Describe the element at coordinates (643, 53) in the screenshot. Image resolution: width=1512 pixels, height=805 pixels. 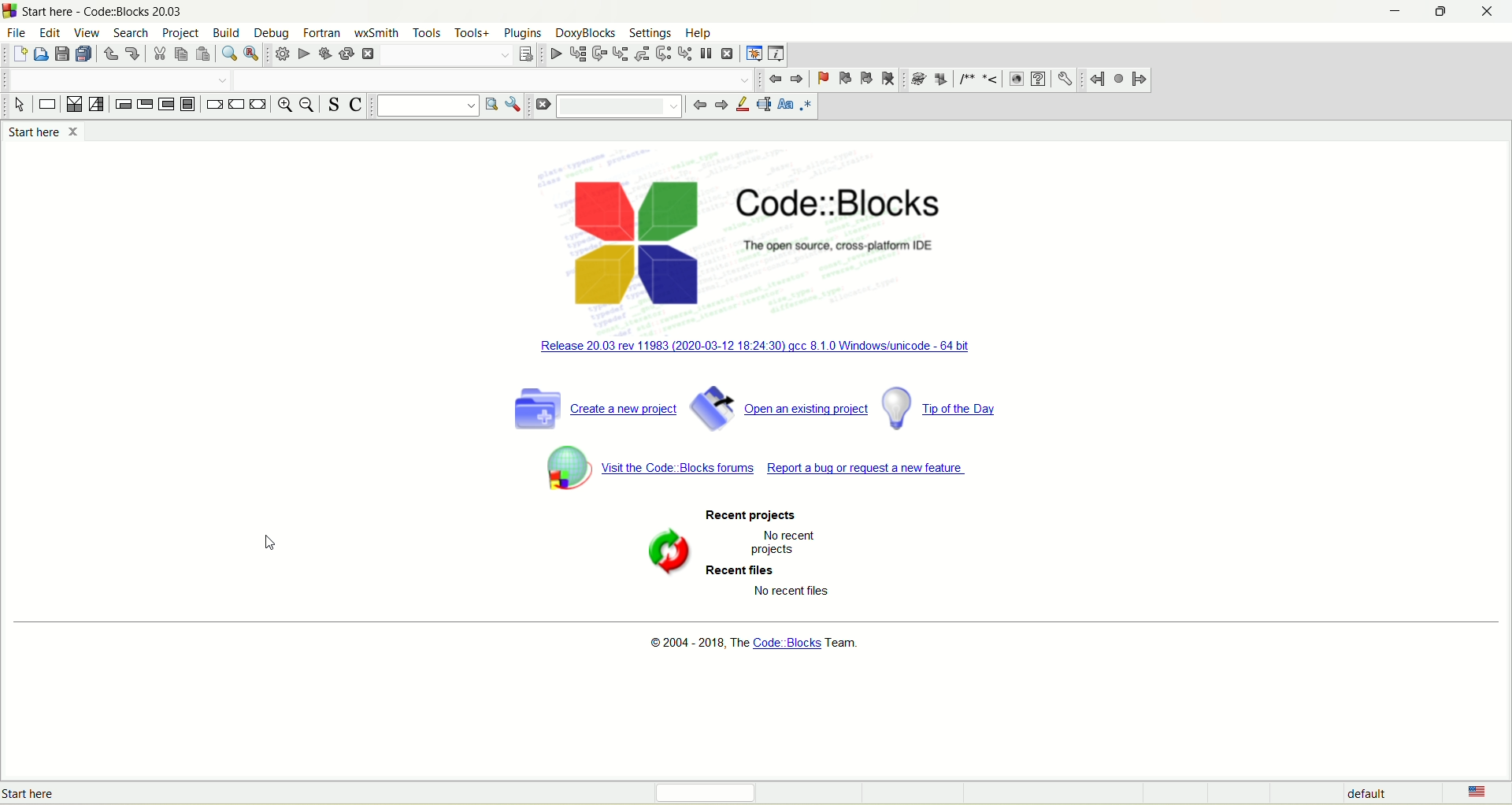
I see `step out` at that location.